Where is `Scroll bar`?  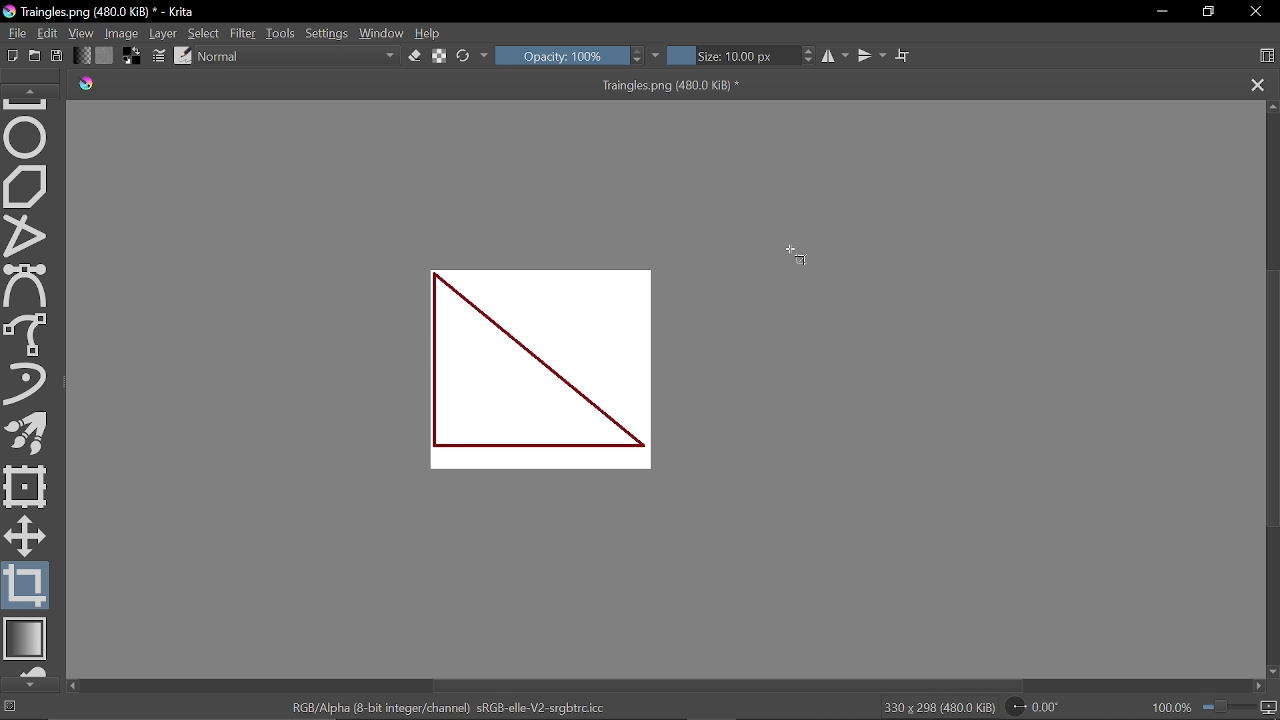 Scroll bar is located at coordinates (1271, 401).